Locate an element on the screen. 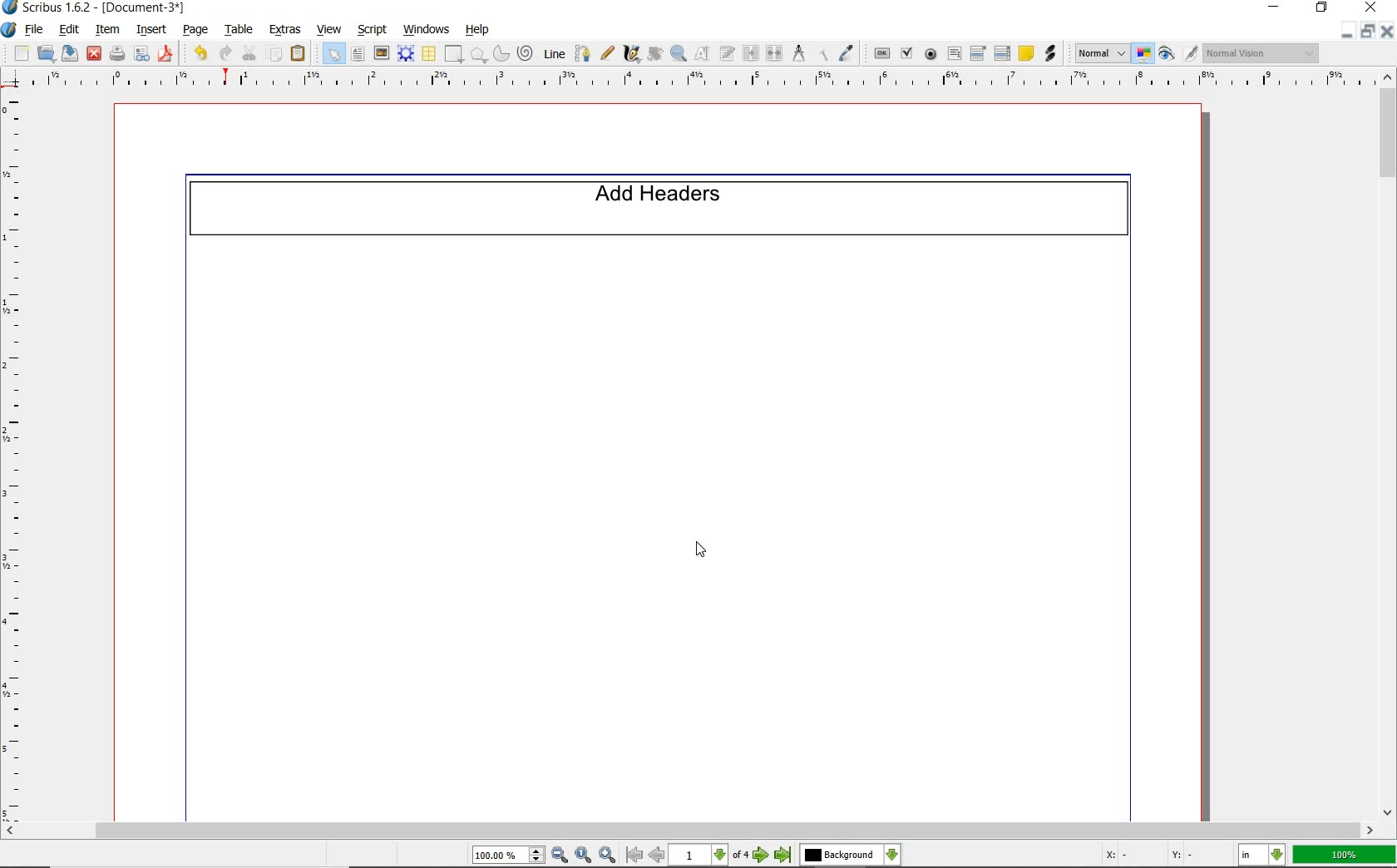 The height and width of the screenshot is (868, 1397). line is located at coordinates (554, 54).